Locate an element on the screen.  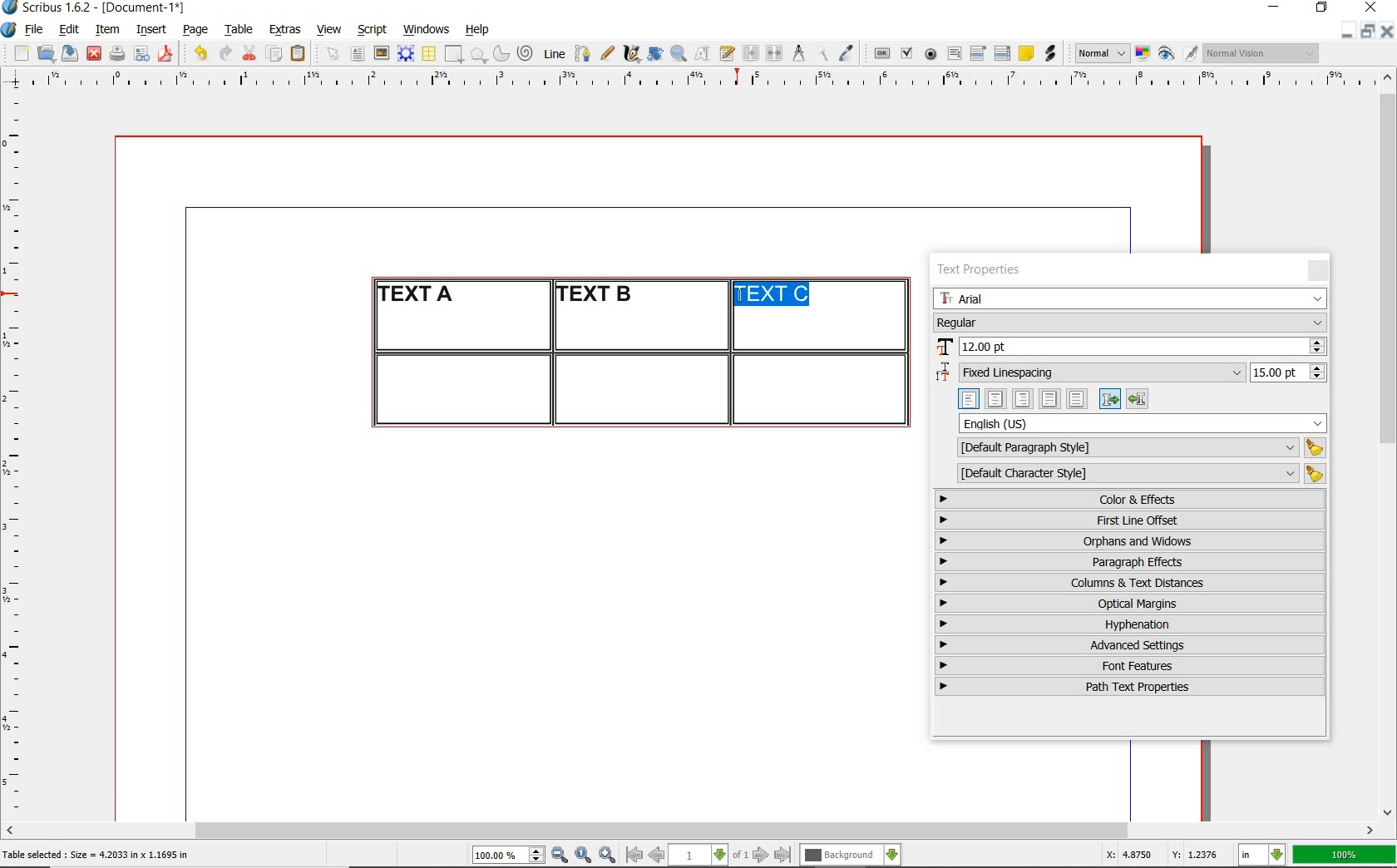
open is located at coordinates (45, 52).